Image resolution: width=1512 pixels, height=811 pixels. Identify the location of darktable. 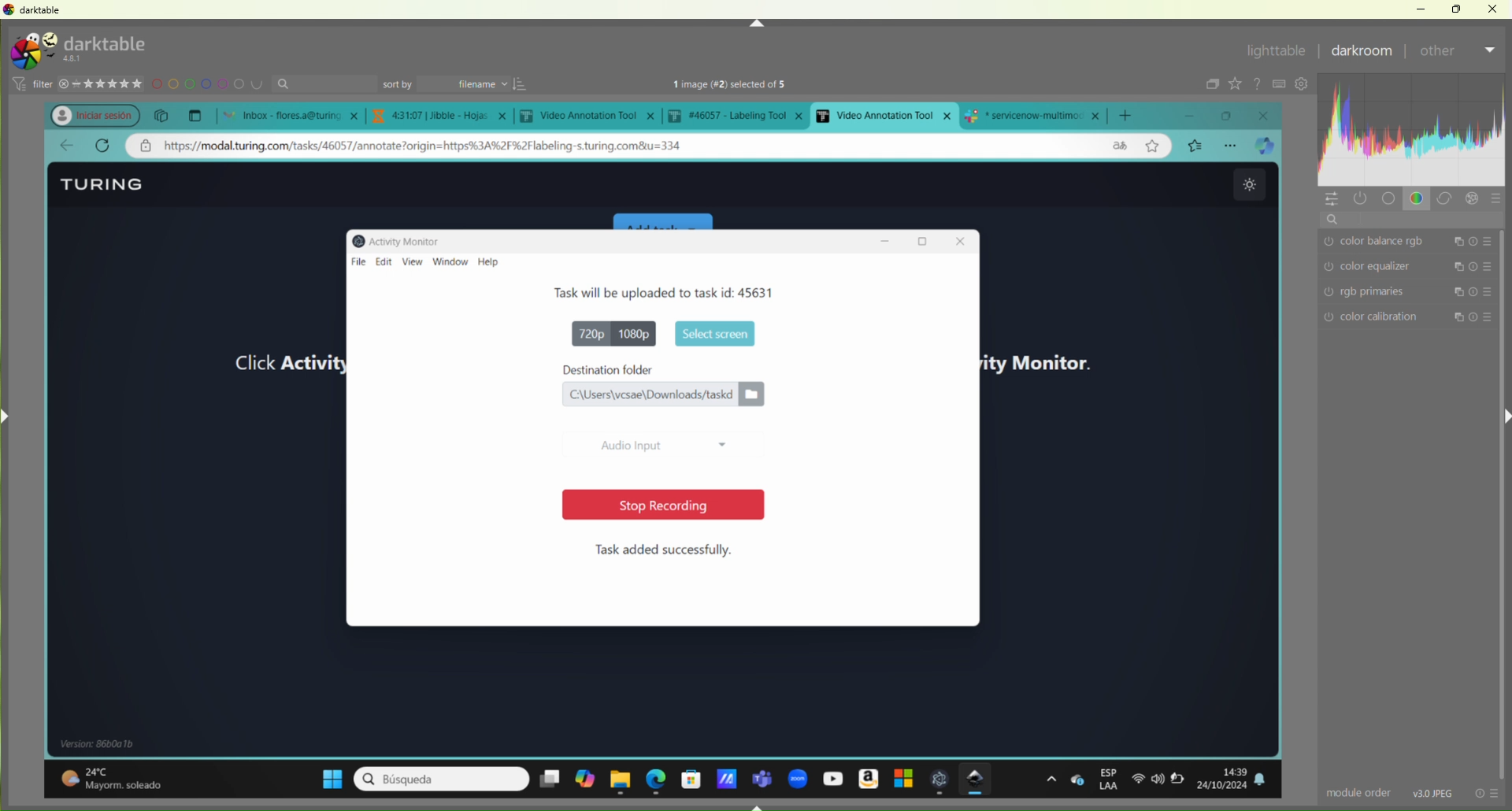
(35, 11).